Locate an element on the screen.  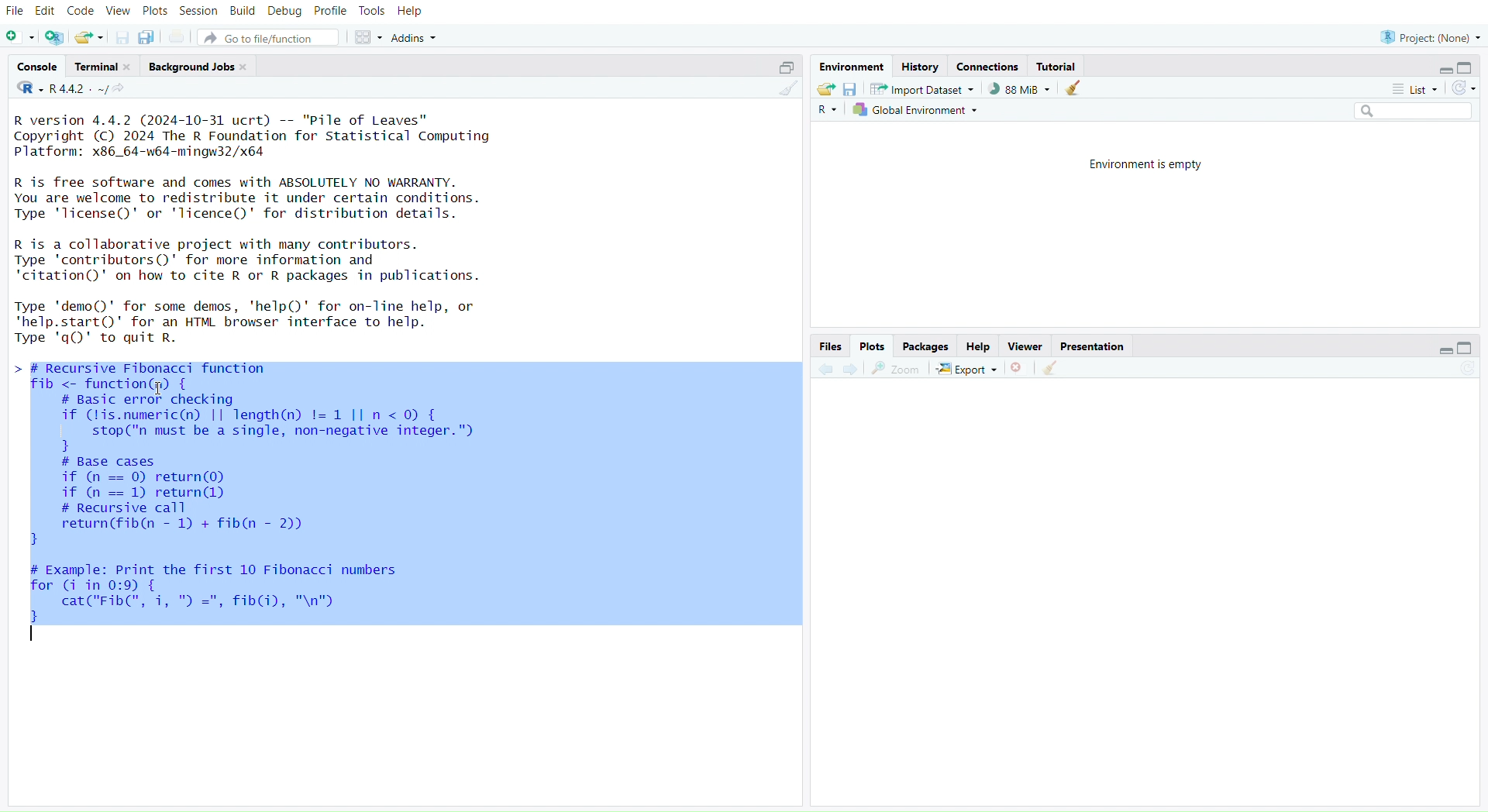
connections is located at coordinates (987, 67).